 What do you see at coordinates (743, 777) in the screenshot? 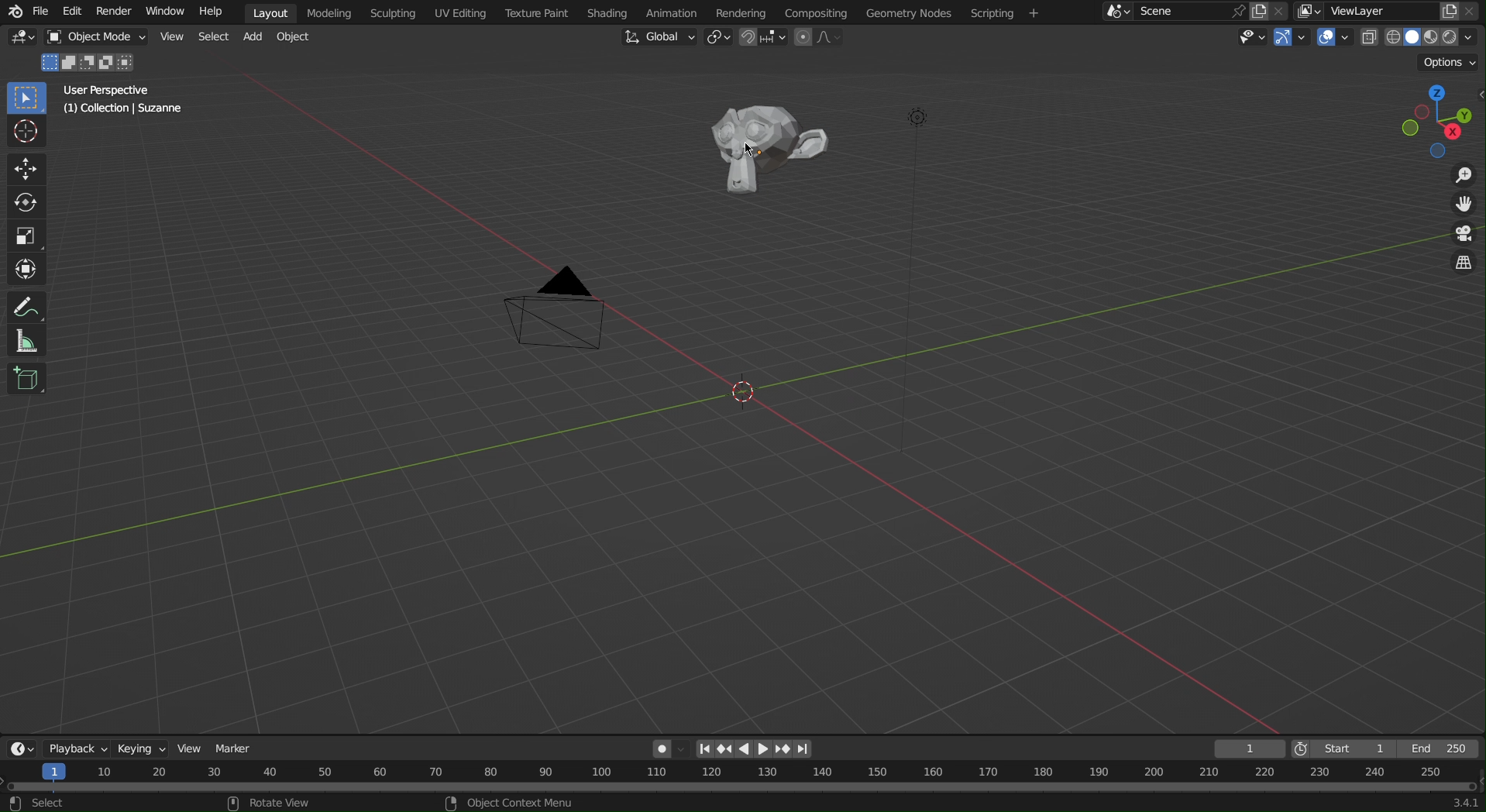
I see `Timeline` at bounding box center [743, 777].